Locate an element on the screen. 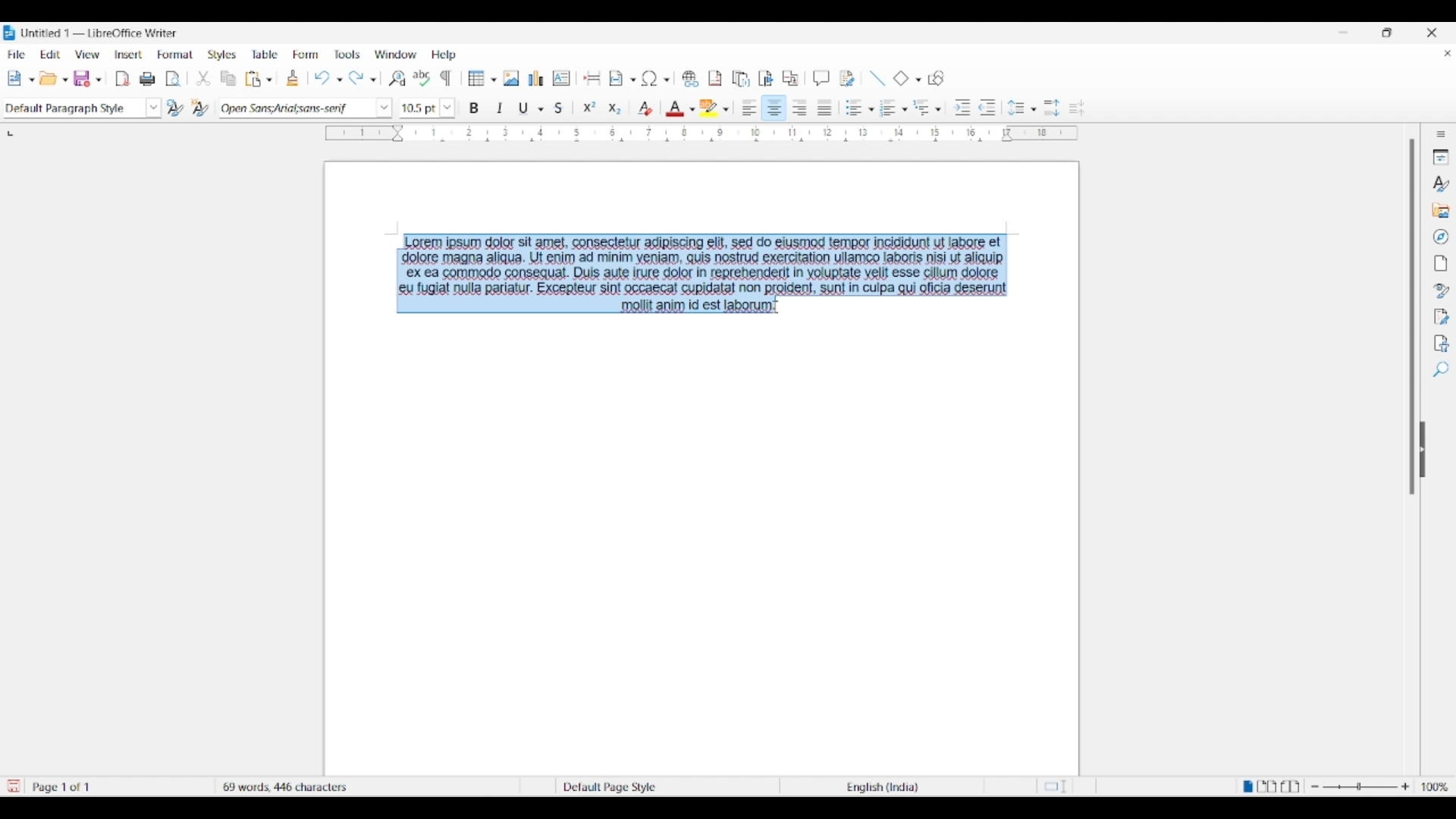 The width and height of the screenshot is (1456, 819). Find is located at coordinates (1442, 369).